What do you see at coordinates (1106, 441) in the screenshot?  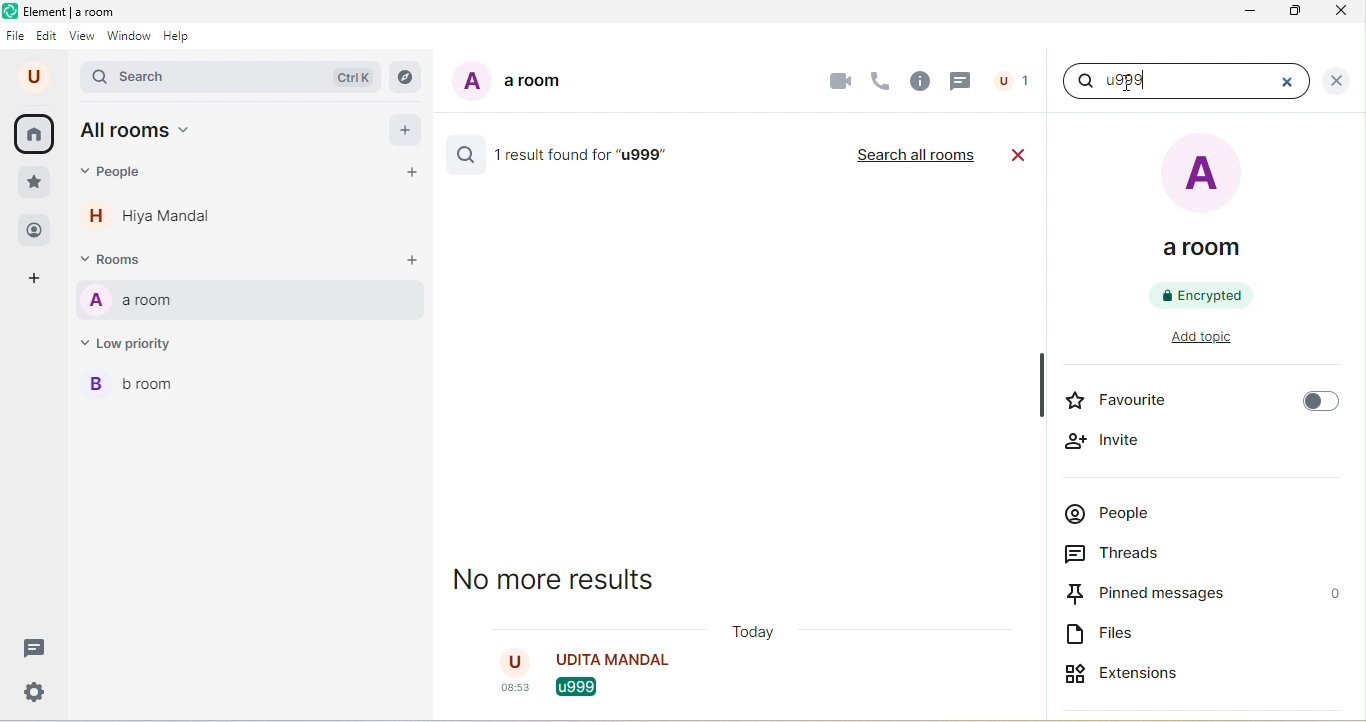 I see `invite` at bounding box center [1106, 441].